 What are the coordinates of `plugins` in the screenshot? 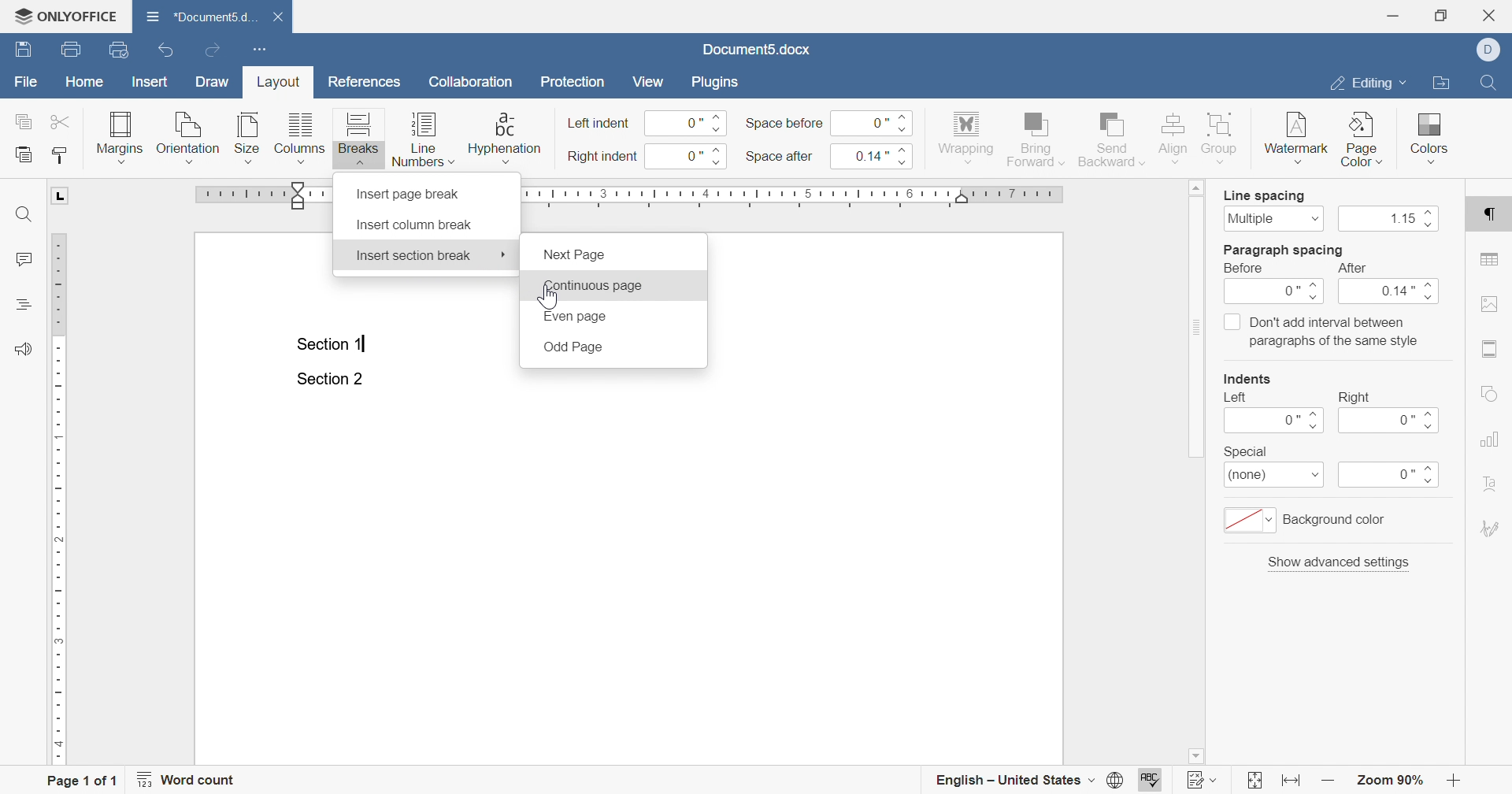 It's located at (714, 82).